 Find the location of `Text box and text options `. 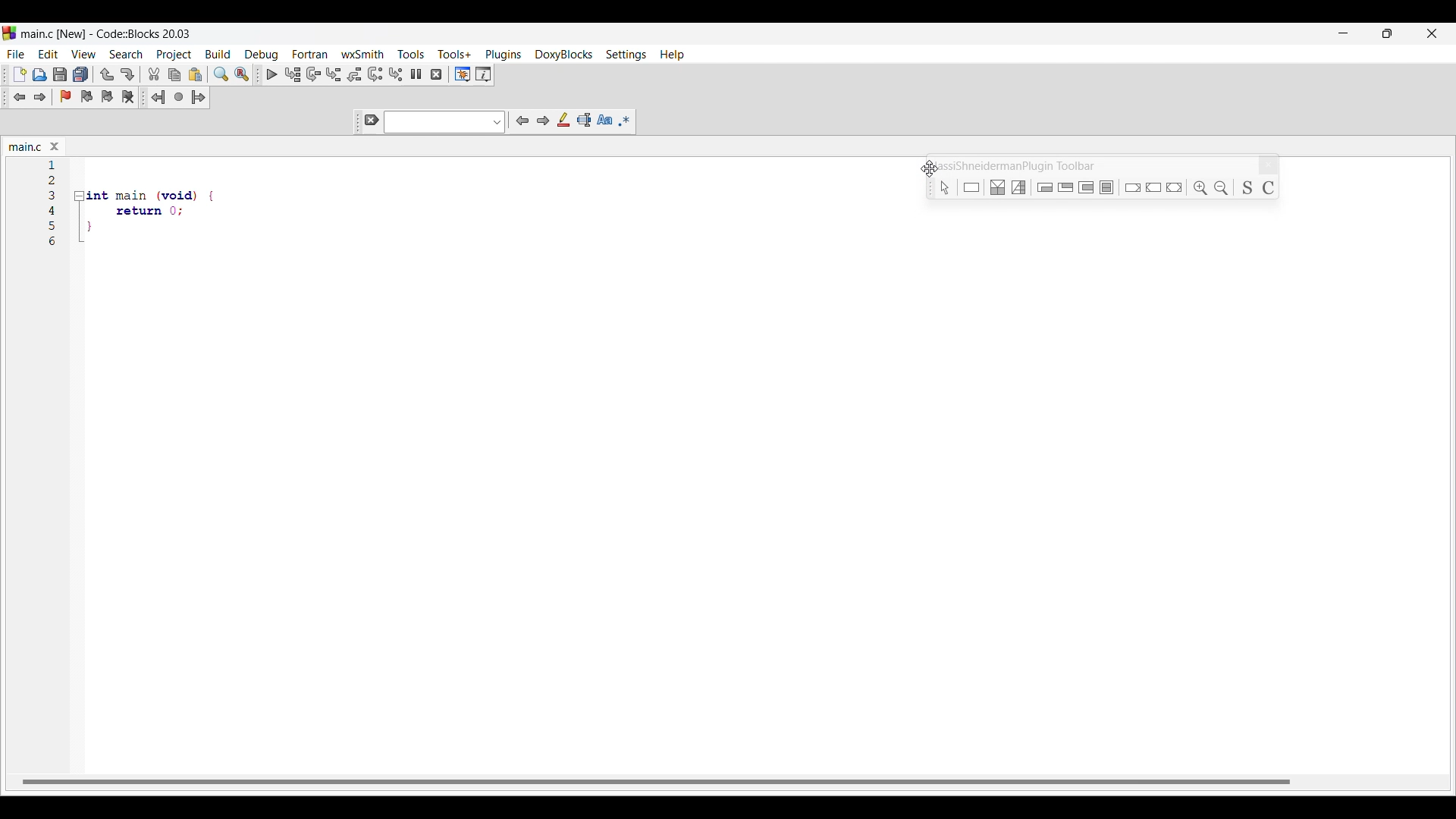

Text box and text options  is located at coordinates (445, 122).